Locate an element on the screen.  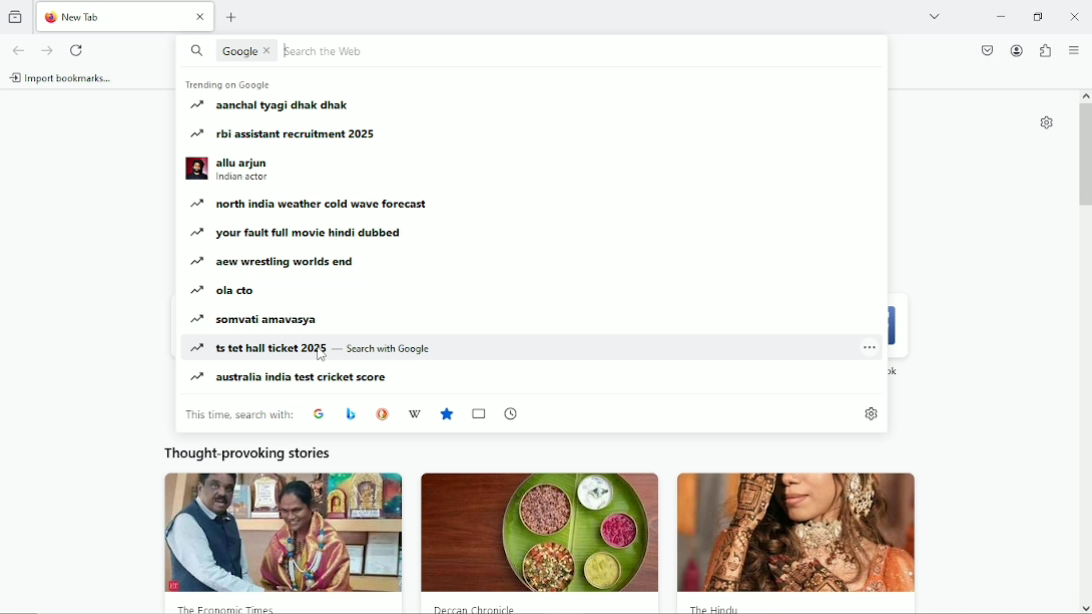
image is located at coordinates (540, 532).